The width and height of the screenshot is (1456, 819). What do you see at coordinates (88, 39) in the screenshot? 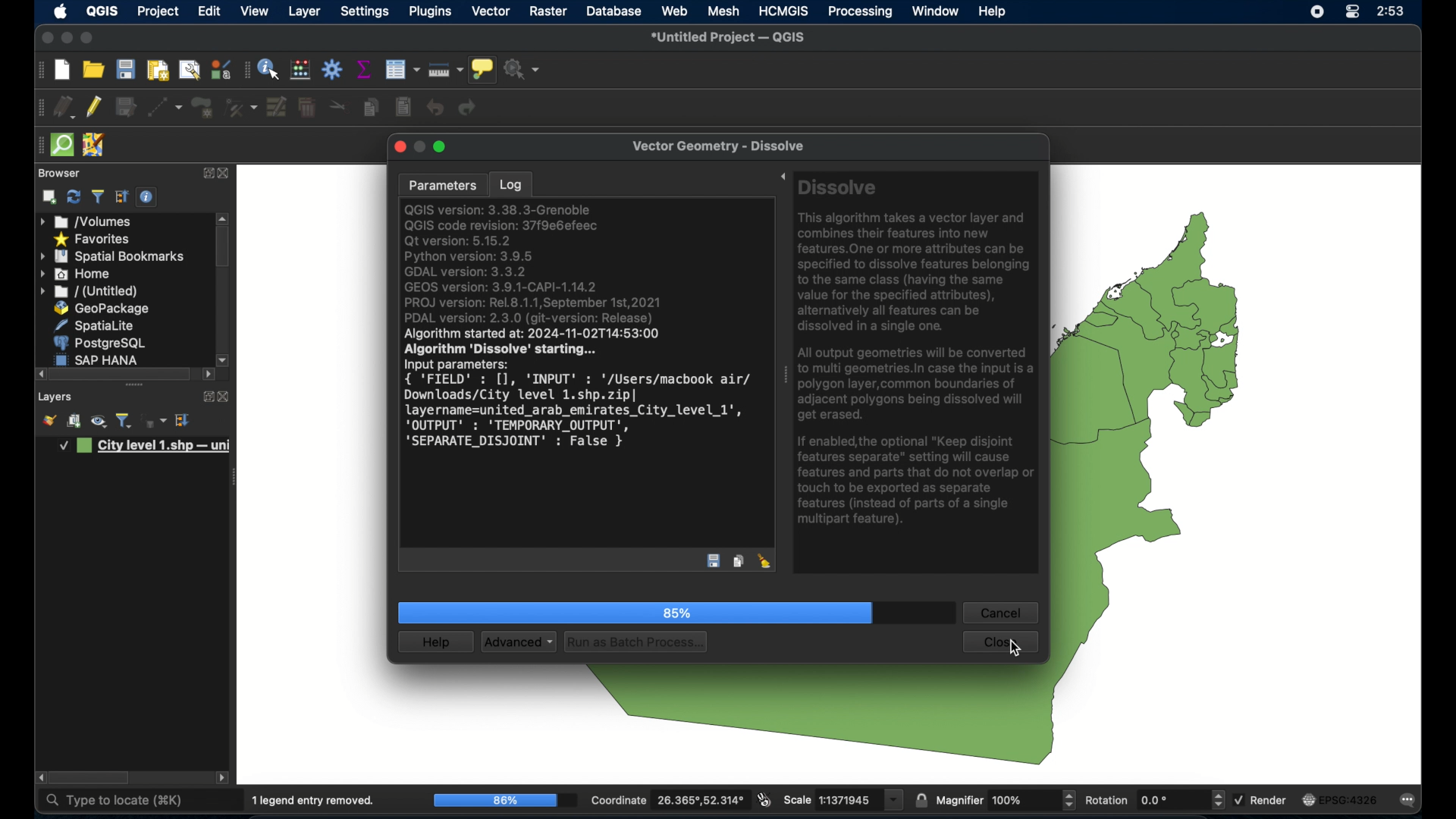
I see `maximize` at bounding box center [88, 39].